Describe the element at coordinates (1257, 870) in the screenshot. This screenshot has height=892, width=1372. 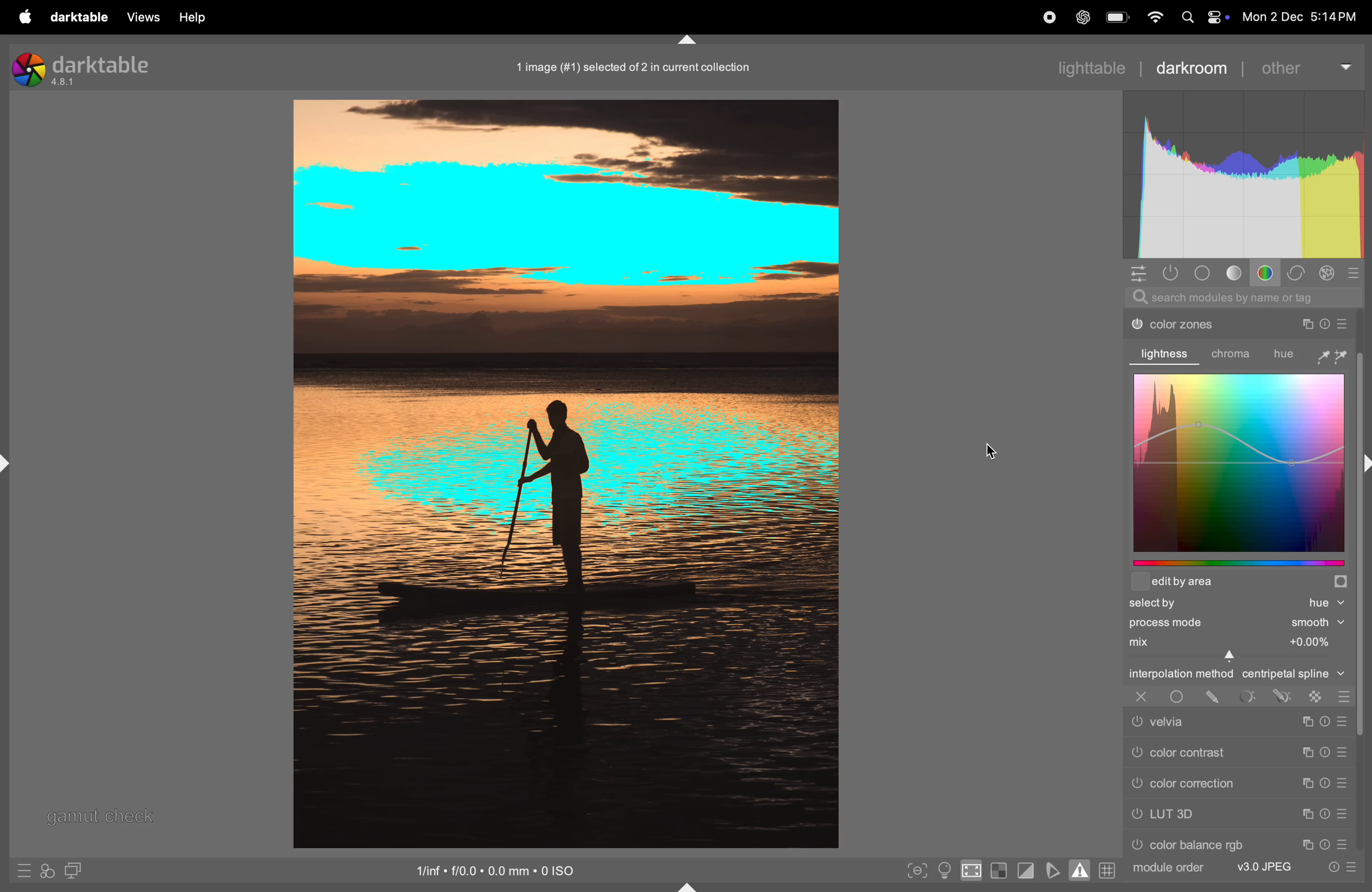
I see `v3 jpeg` at that location.